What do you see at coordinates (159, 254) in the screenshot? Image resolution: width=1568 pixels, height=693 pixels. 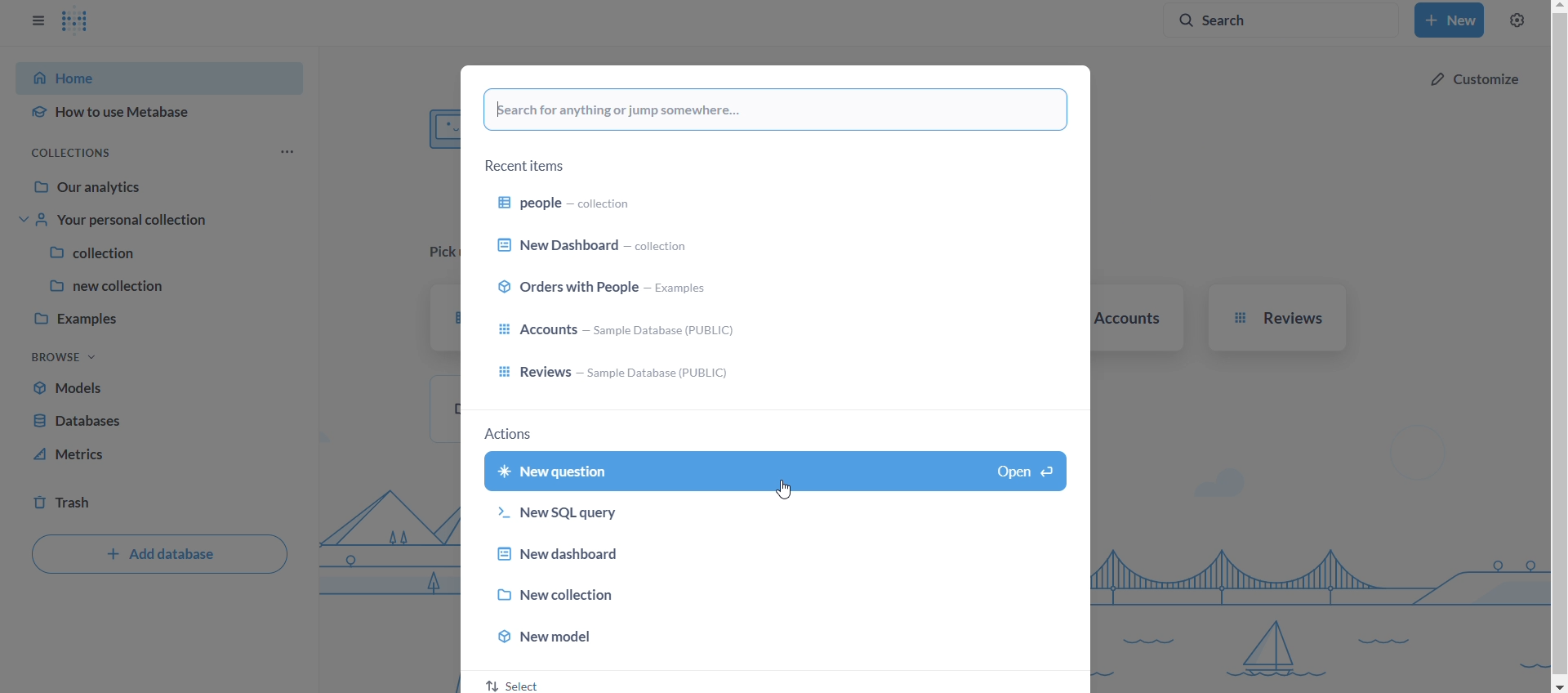 I see `collection` at bounding box center [159, 254].